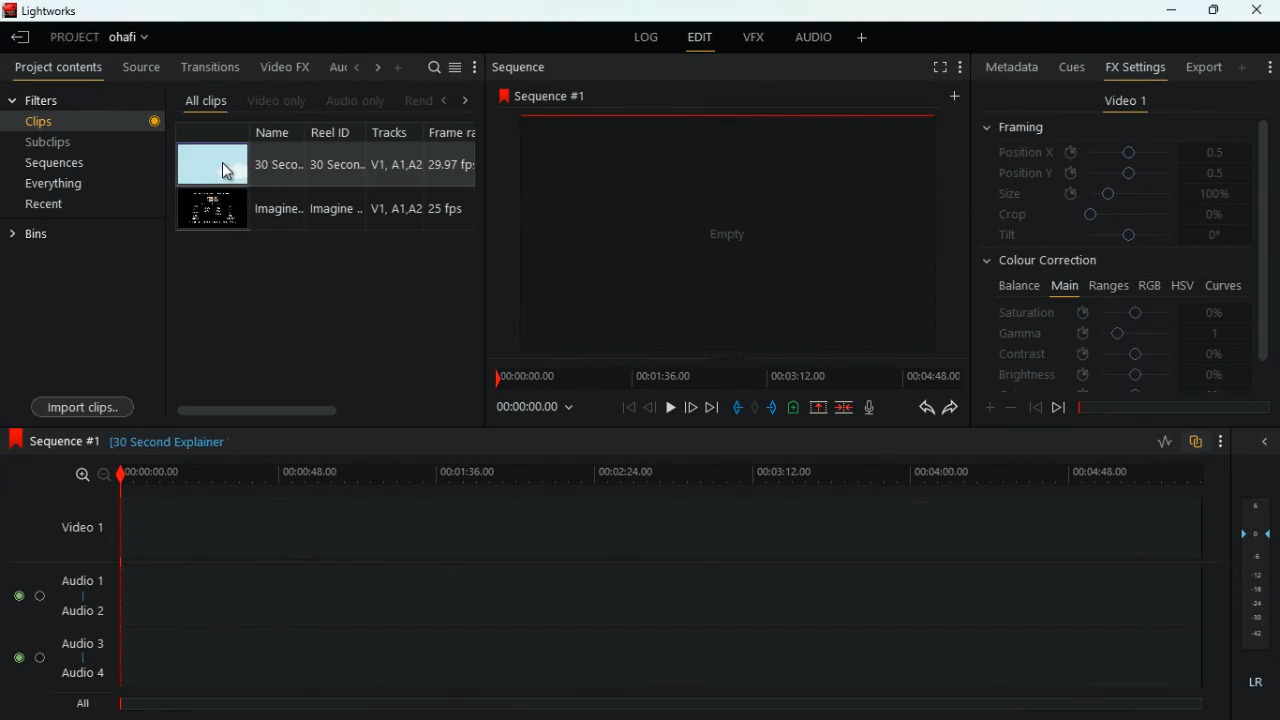  I want to click on metadata, so click(1008, 65).